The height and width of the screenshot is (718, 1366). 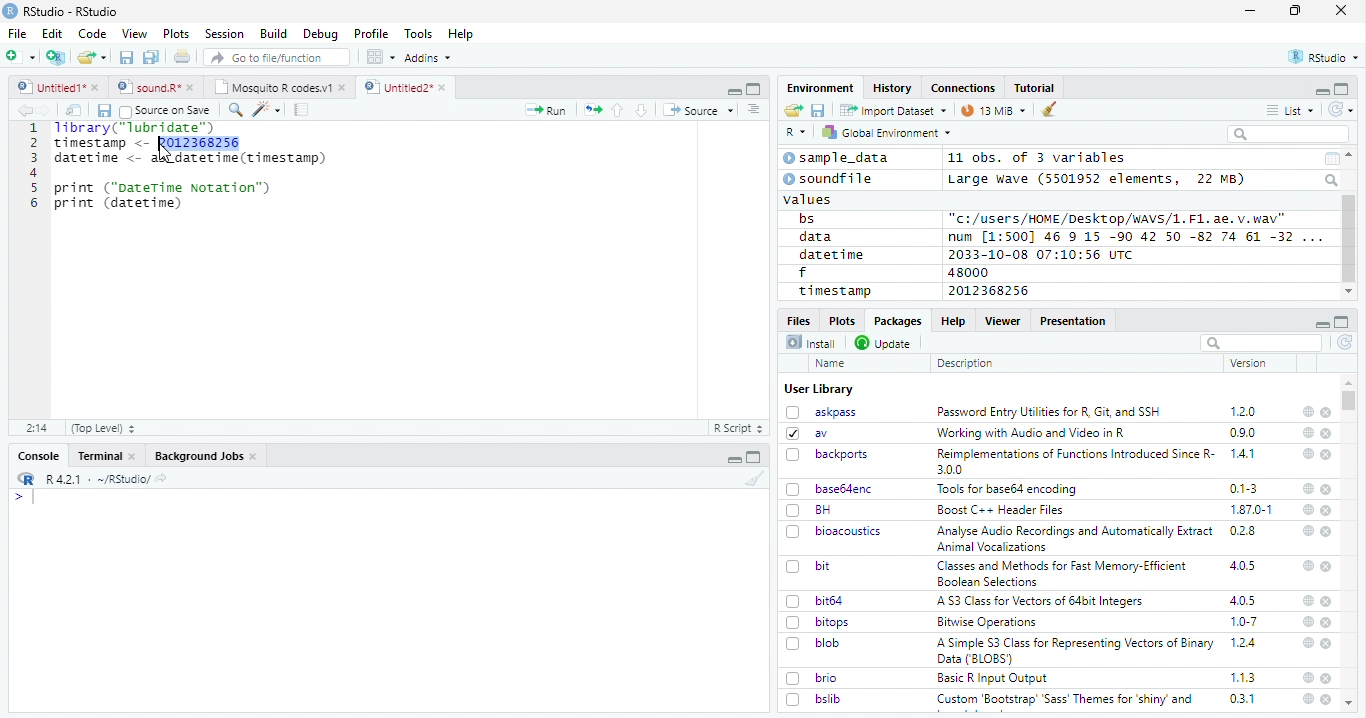 What do you see at coordinates (52, 33) in the screenshot?
I see `Edit` at bounding box center [52, 33].